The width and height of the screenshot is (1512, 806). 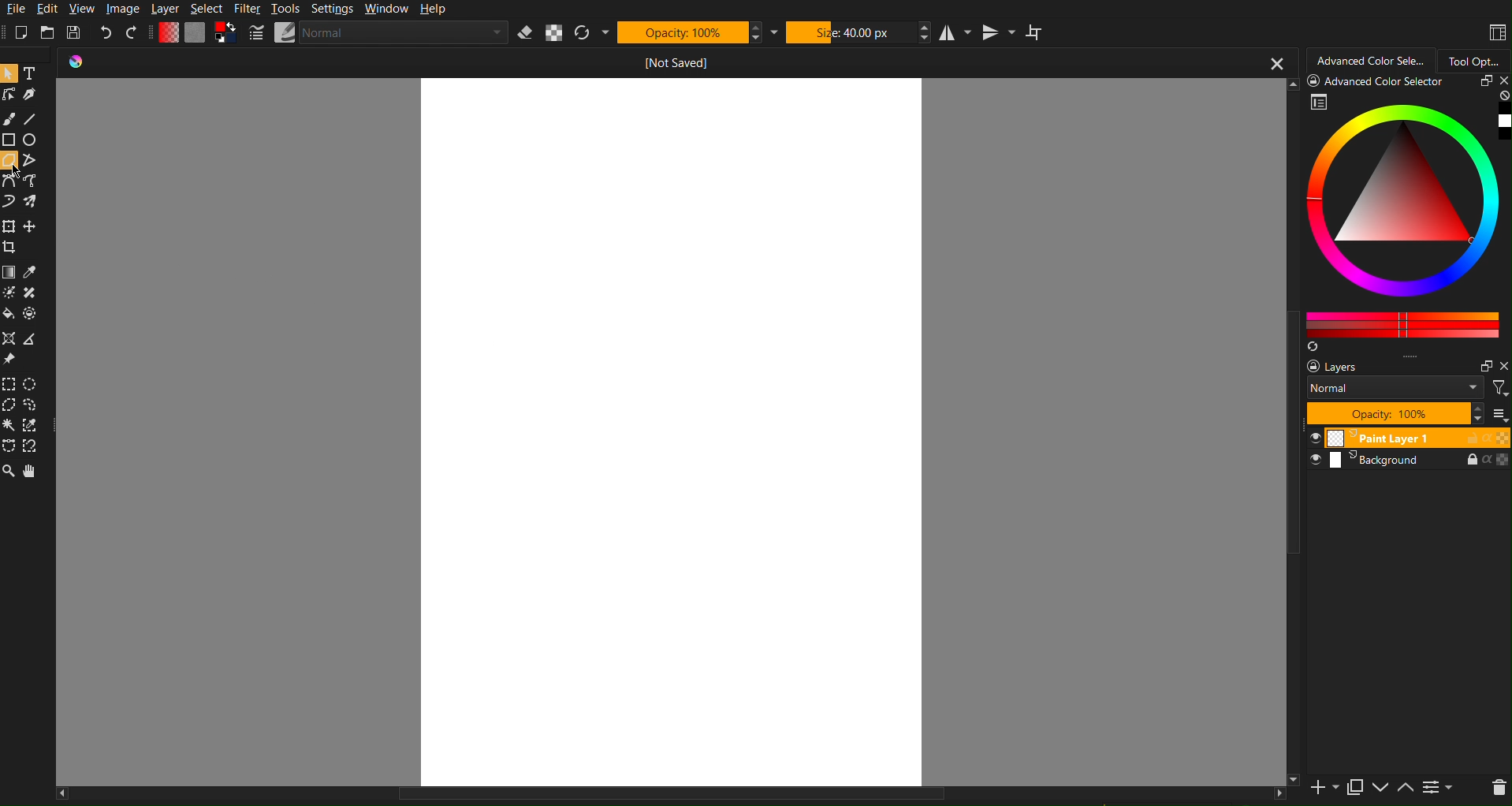 I want to click on move layer down, so click(x=1380, y=789).